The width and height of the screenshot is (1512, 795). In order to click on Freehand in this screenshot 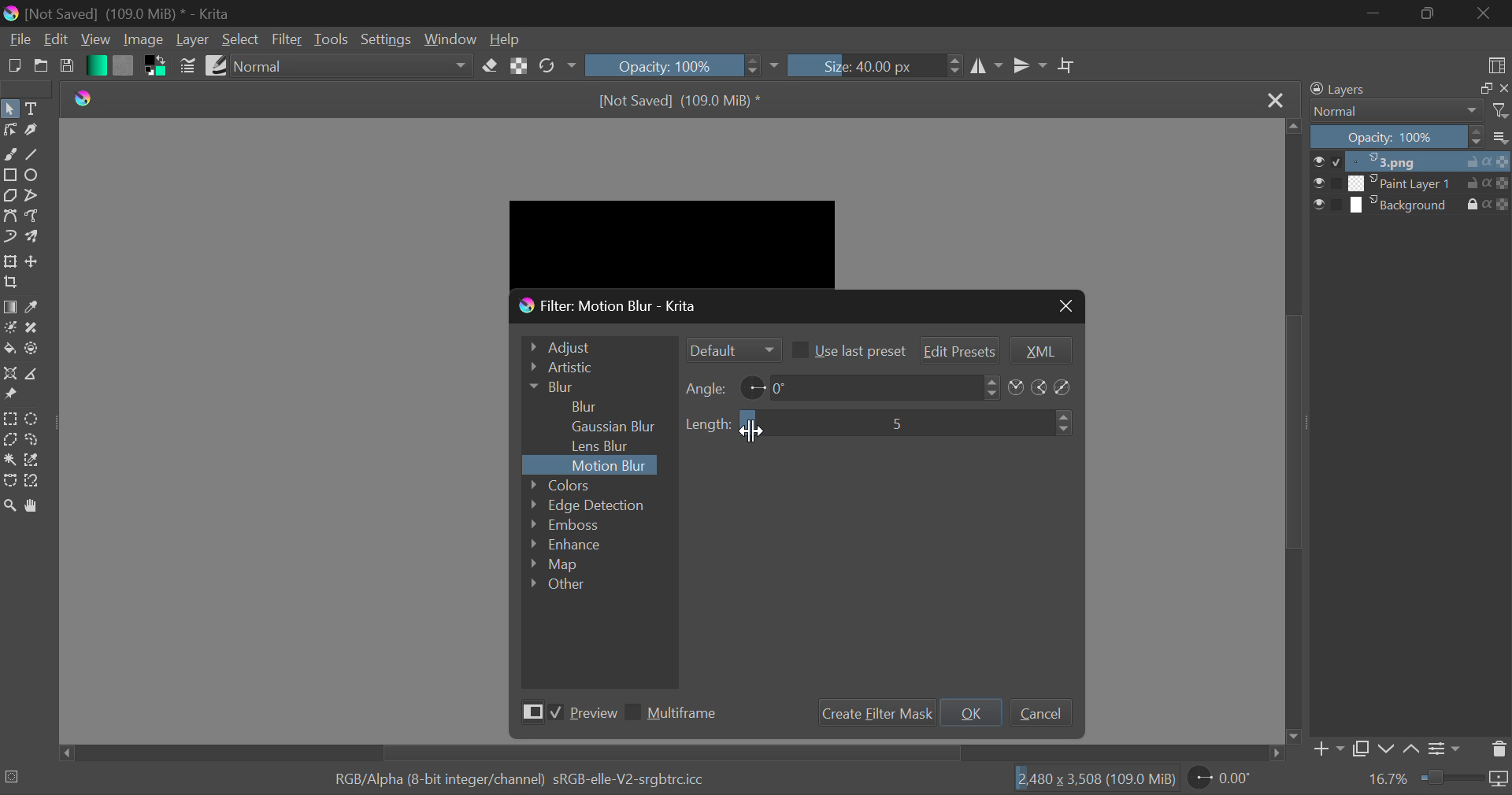, I will do `click(10, 154)`.